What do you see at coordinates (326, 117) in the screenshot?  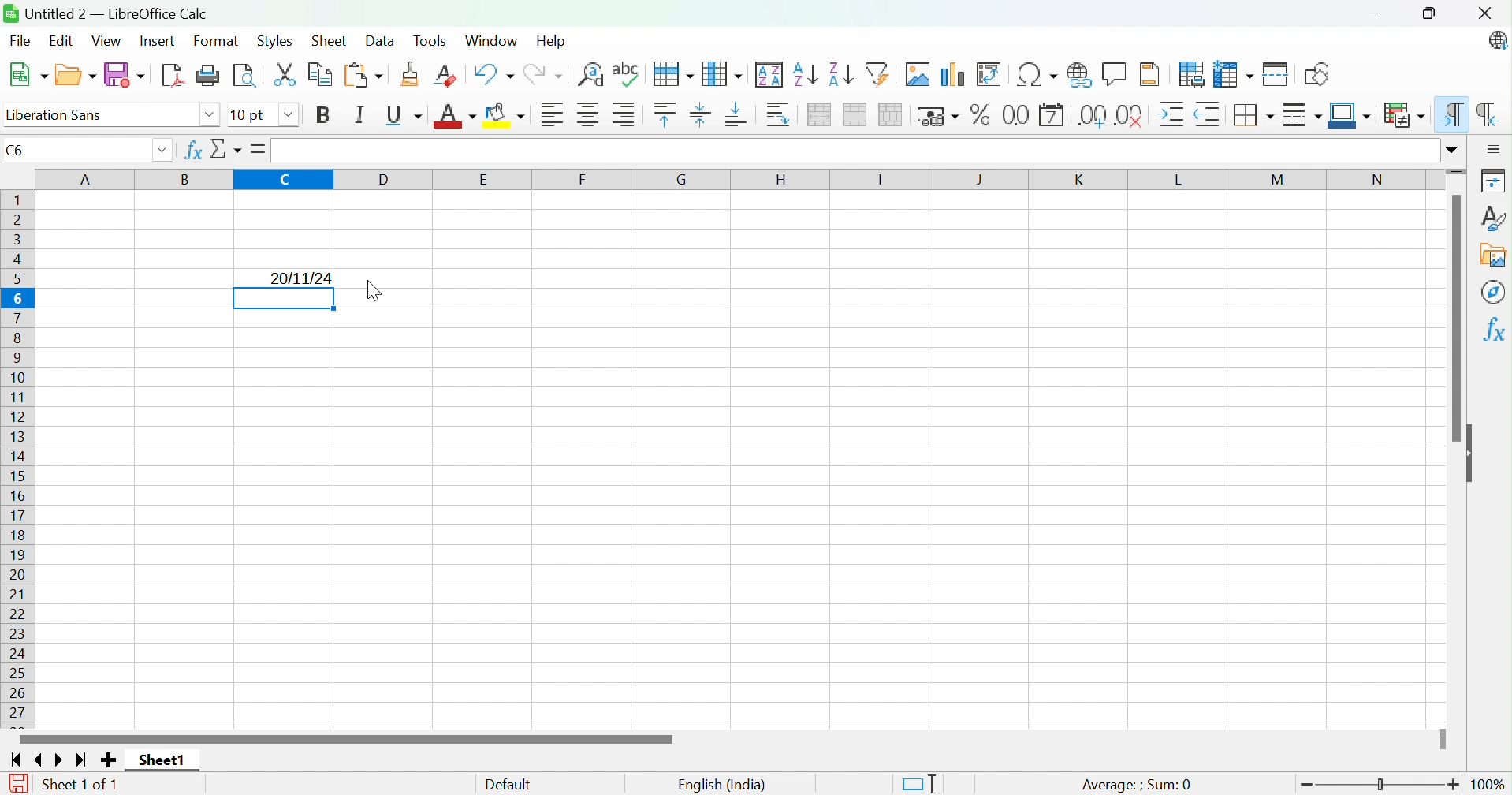 I see `Bold` at bounding box center [326, 117].